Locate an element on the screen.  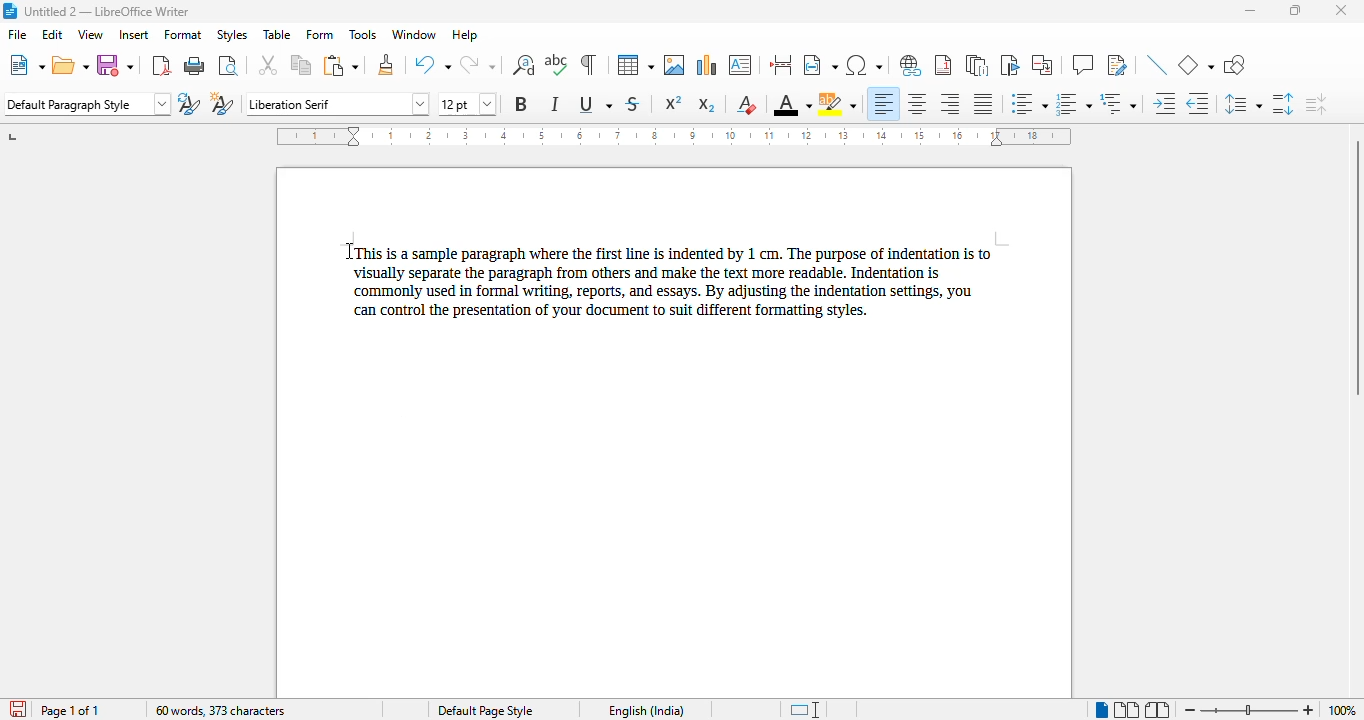
single-page view is located at coordinates (1101, 710).